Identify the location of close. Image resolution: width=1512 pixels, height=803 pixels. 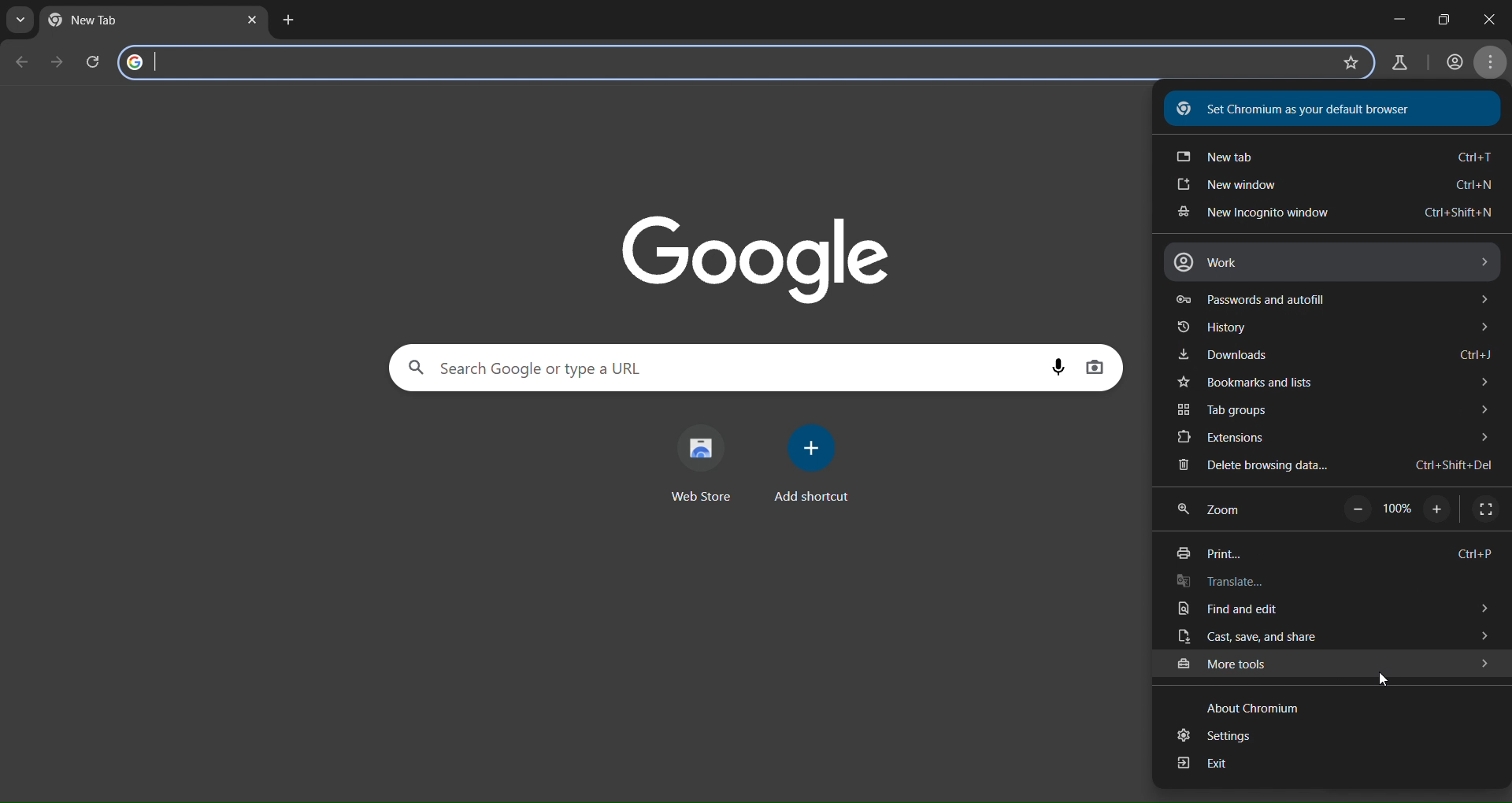
(1497, 18).